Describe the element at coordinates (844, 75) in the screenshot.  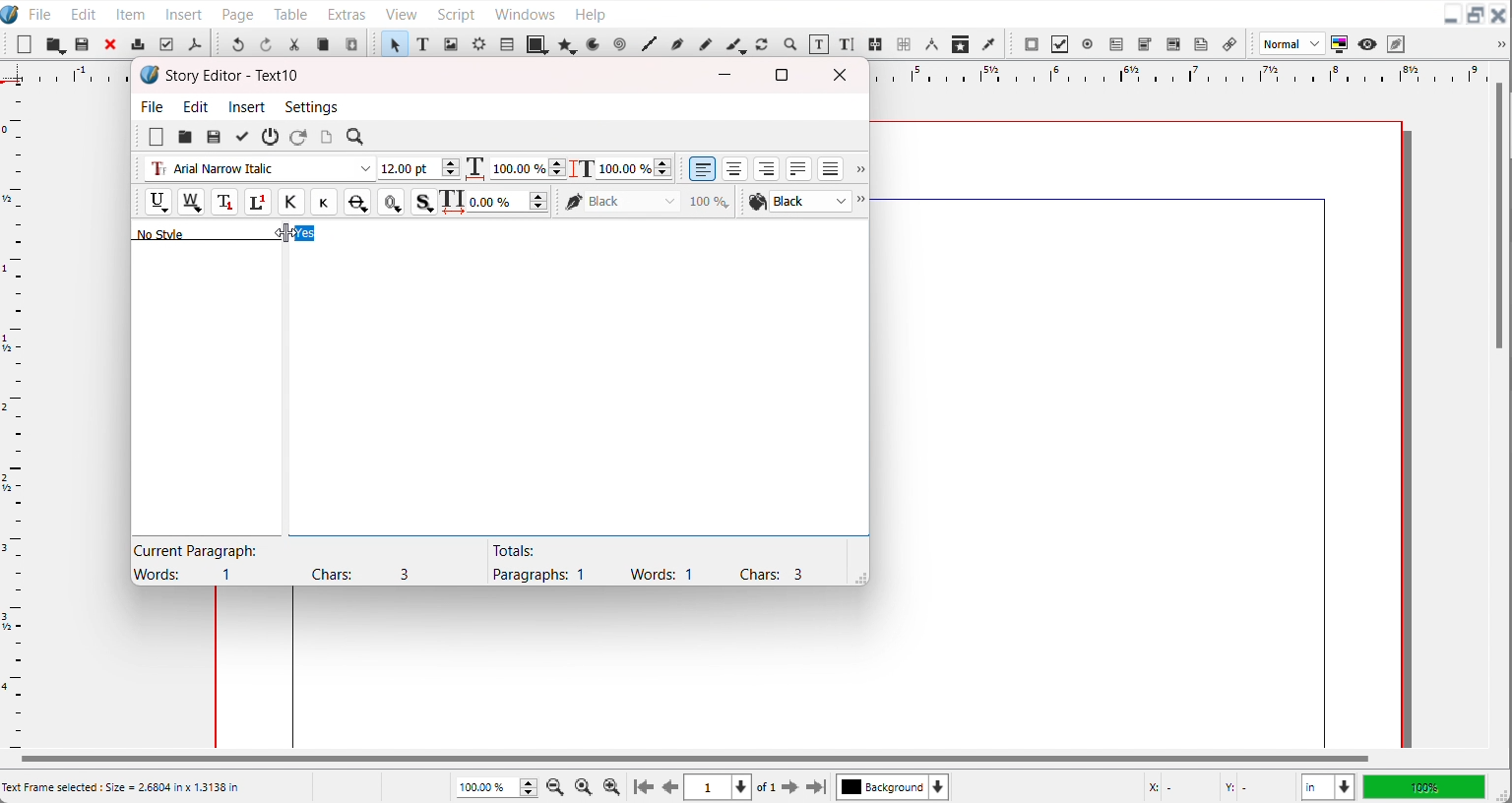
I see `Close` at that location.